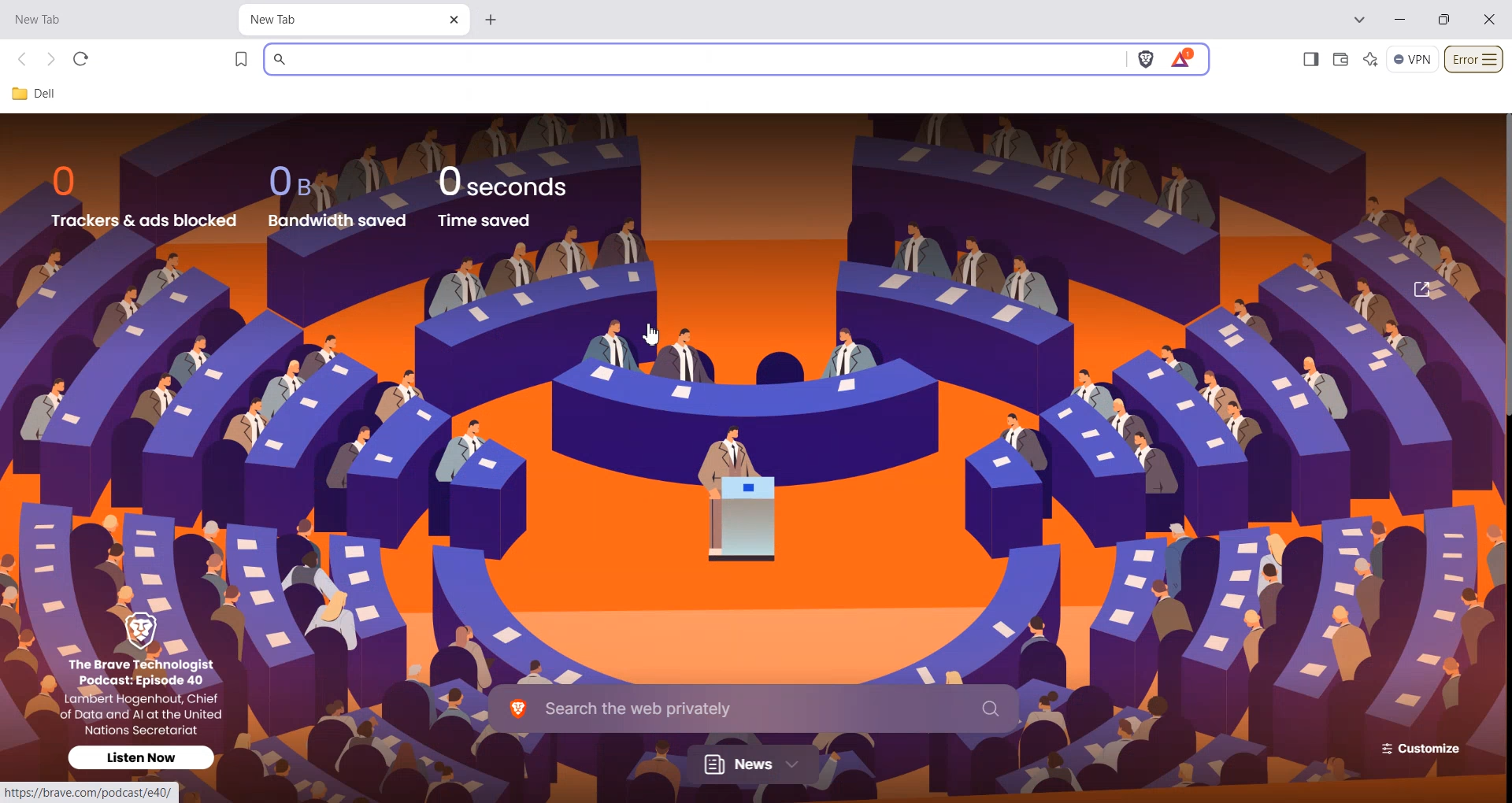 This screenshot has height=803, width=1512. I want to click on New Tab, so click(338, 20).